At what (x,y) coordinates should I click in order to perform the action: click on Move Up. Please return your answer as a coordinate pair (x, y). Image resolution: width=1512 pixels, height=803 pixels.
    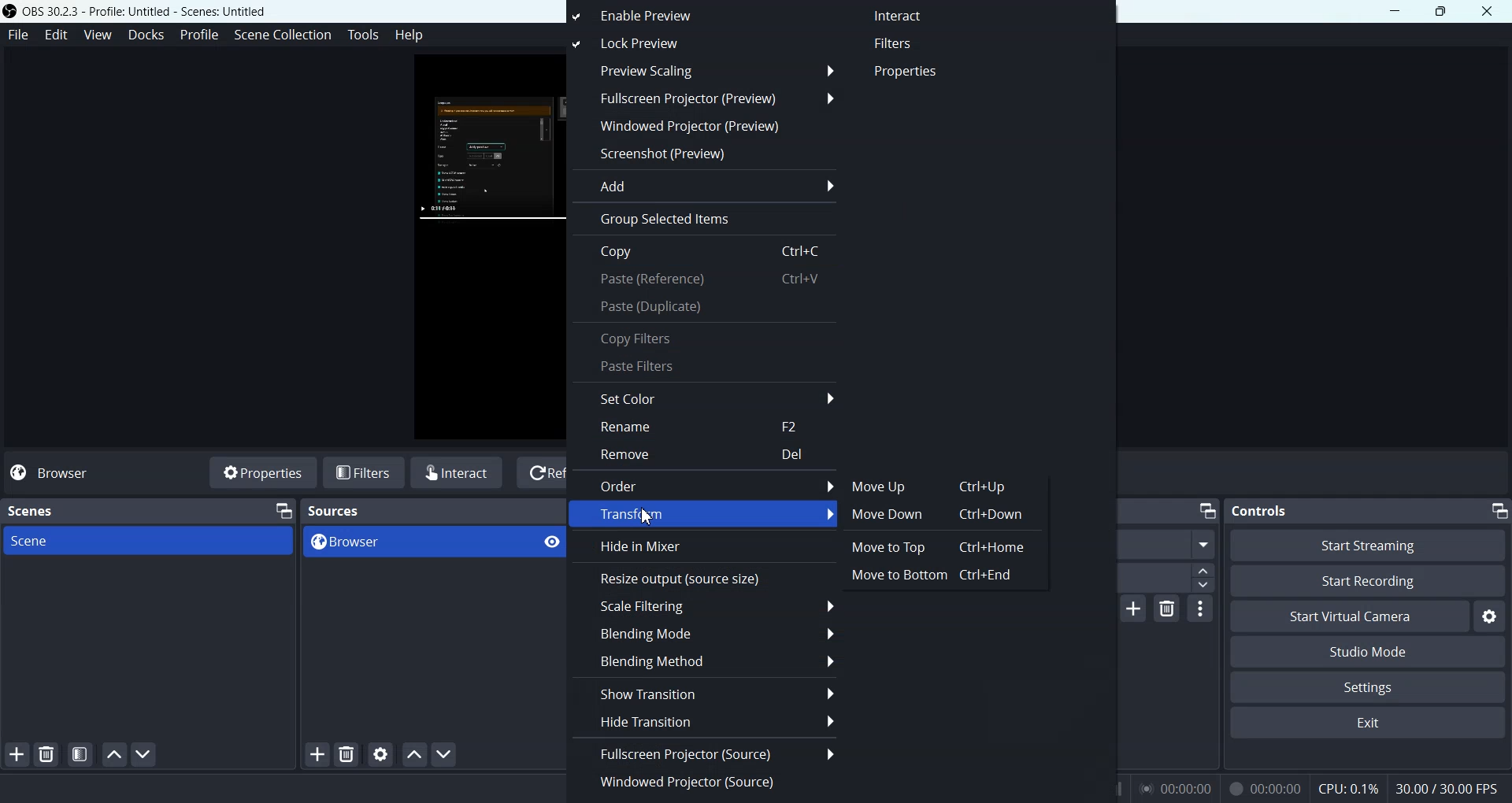
    Looking at the image, I should click on (936, 486).